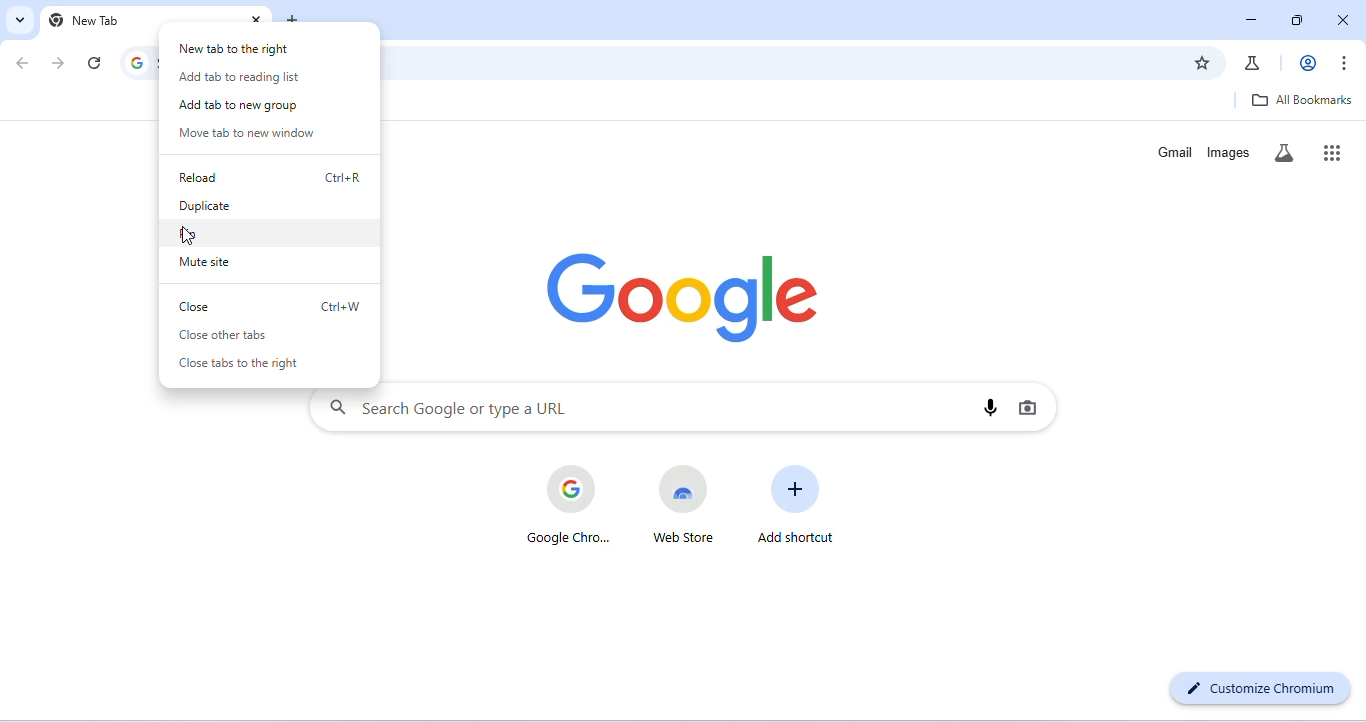  What do you see at coordinates (61, 63) in the screenshot?
I see `go forward` at bounding box center [61, 63].